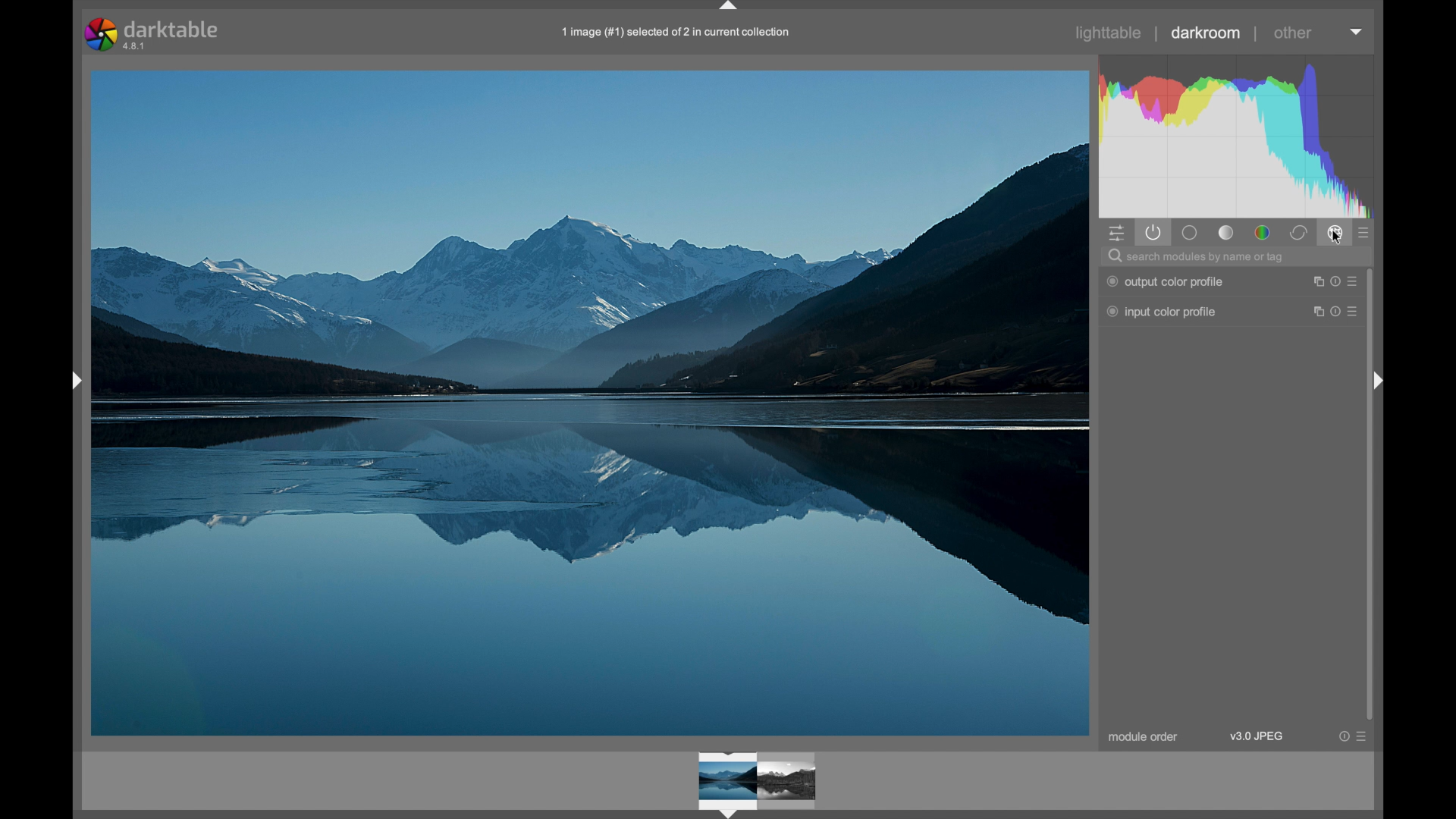  I want to click on darktable, so click(153, 34).